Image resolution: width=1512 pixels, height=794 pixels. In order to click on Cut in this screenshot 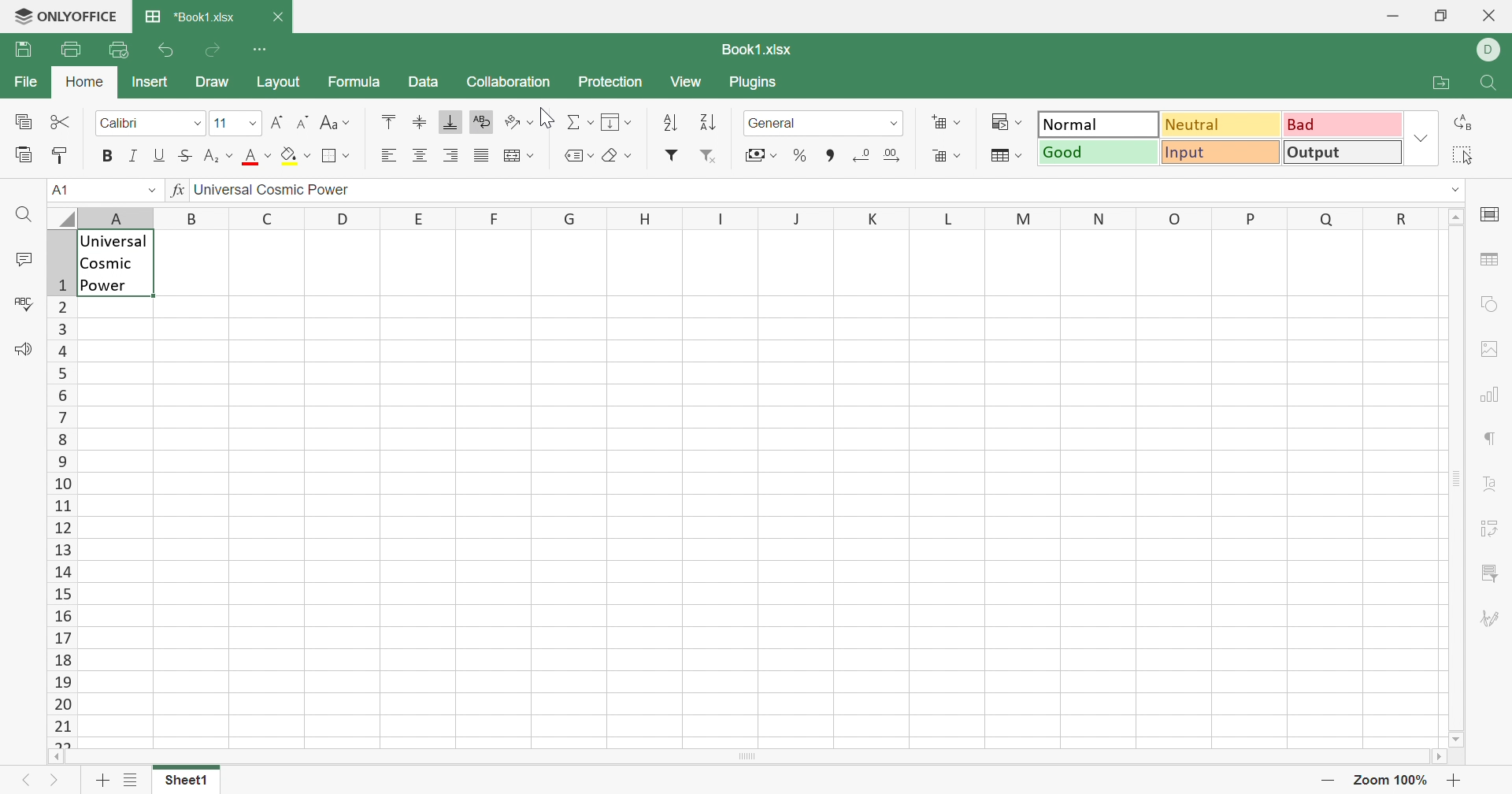, I will do `click(63, 122)`.